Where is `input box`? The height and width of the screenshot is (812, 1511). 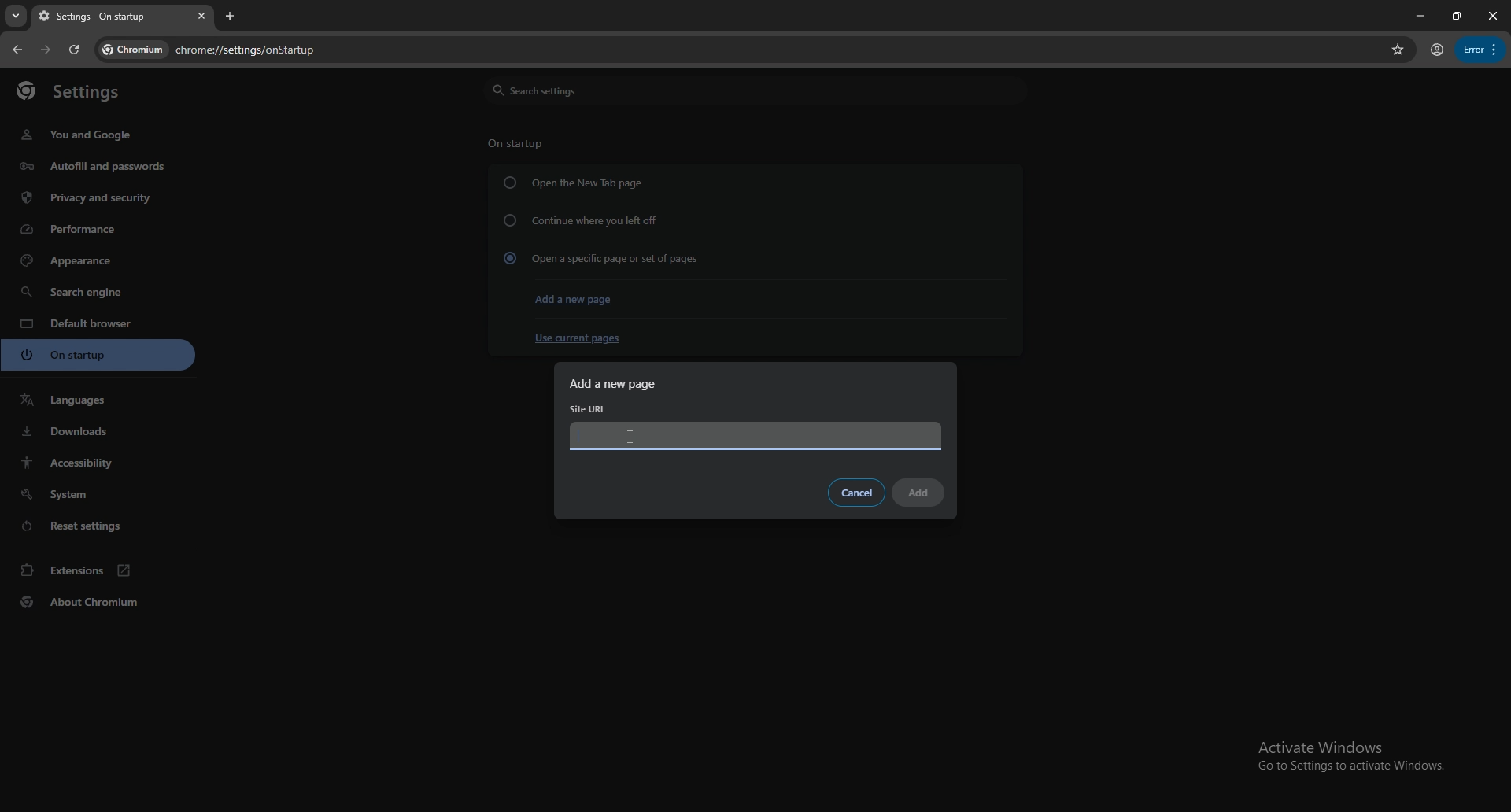 input box is located at coordinates (756, 437).